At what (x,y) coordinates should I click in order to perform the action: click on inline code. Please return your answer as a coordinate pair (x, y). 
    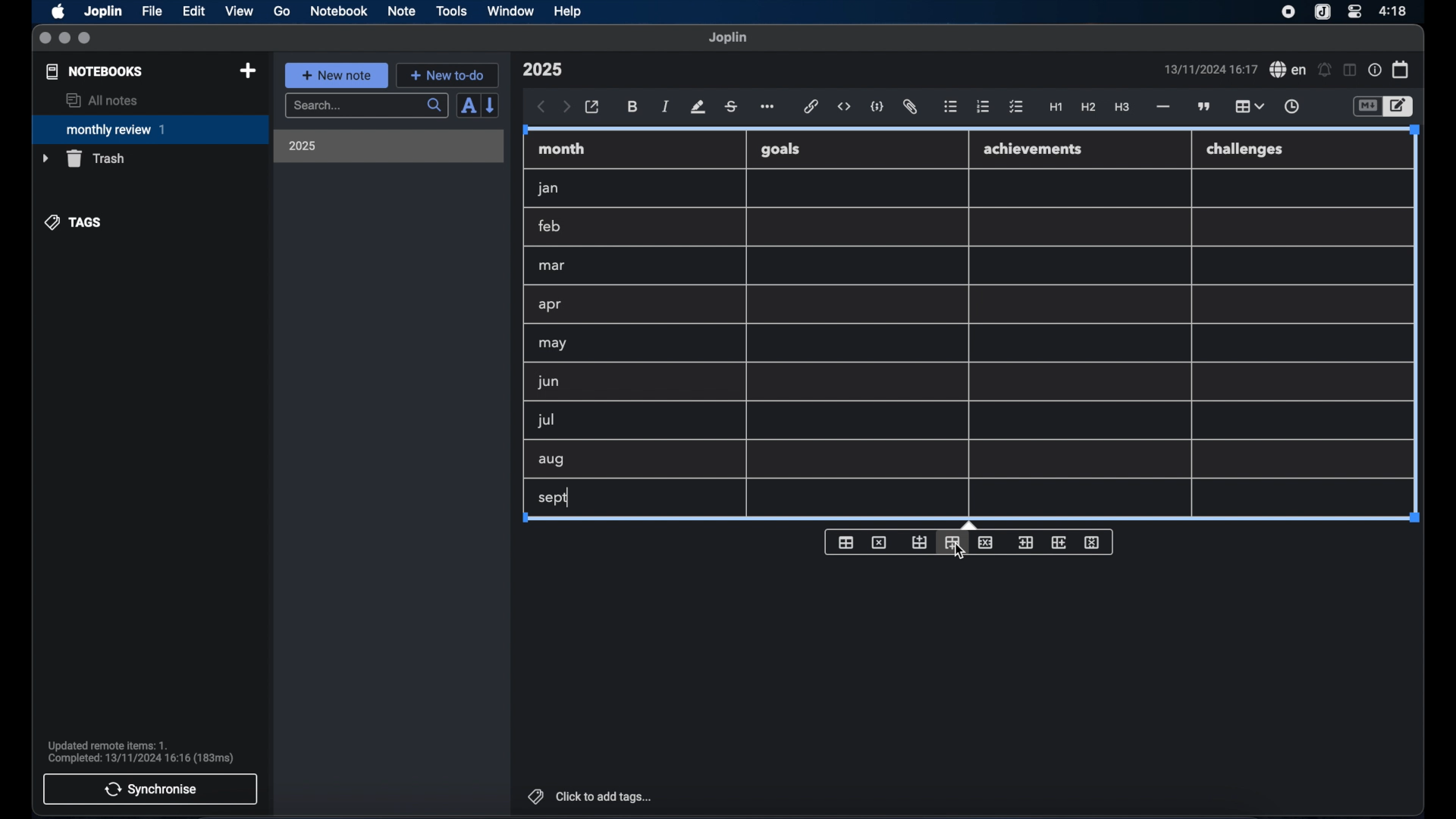
    Looking at the image, I should click on (844, 107).